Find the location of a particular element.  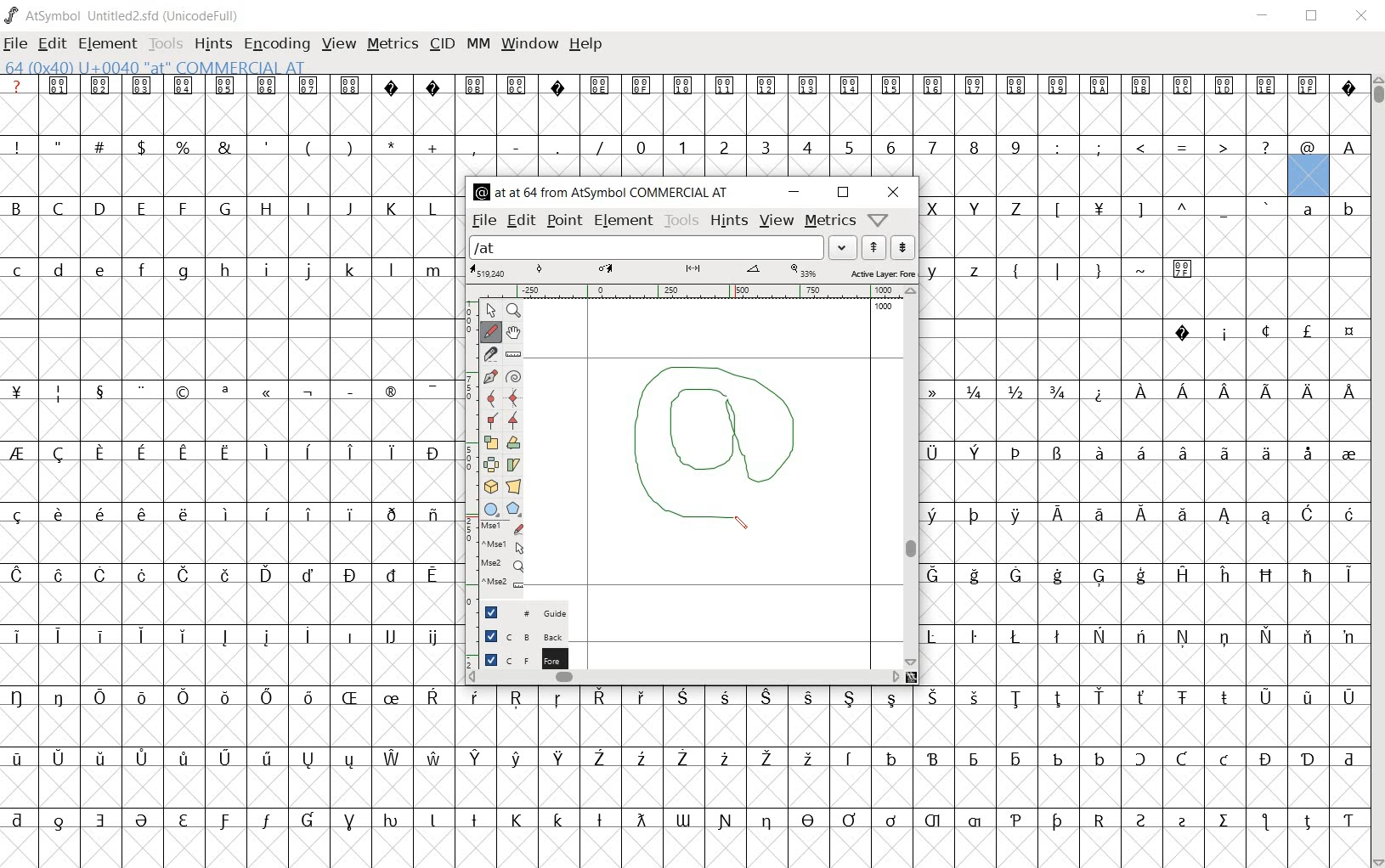

pen tool is located at coordinates (736, 405).